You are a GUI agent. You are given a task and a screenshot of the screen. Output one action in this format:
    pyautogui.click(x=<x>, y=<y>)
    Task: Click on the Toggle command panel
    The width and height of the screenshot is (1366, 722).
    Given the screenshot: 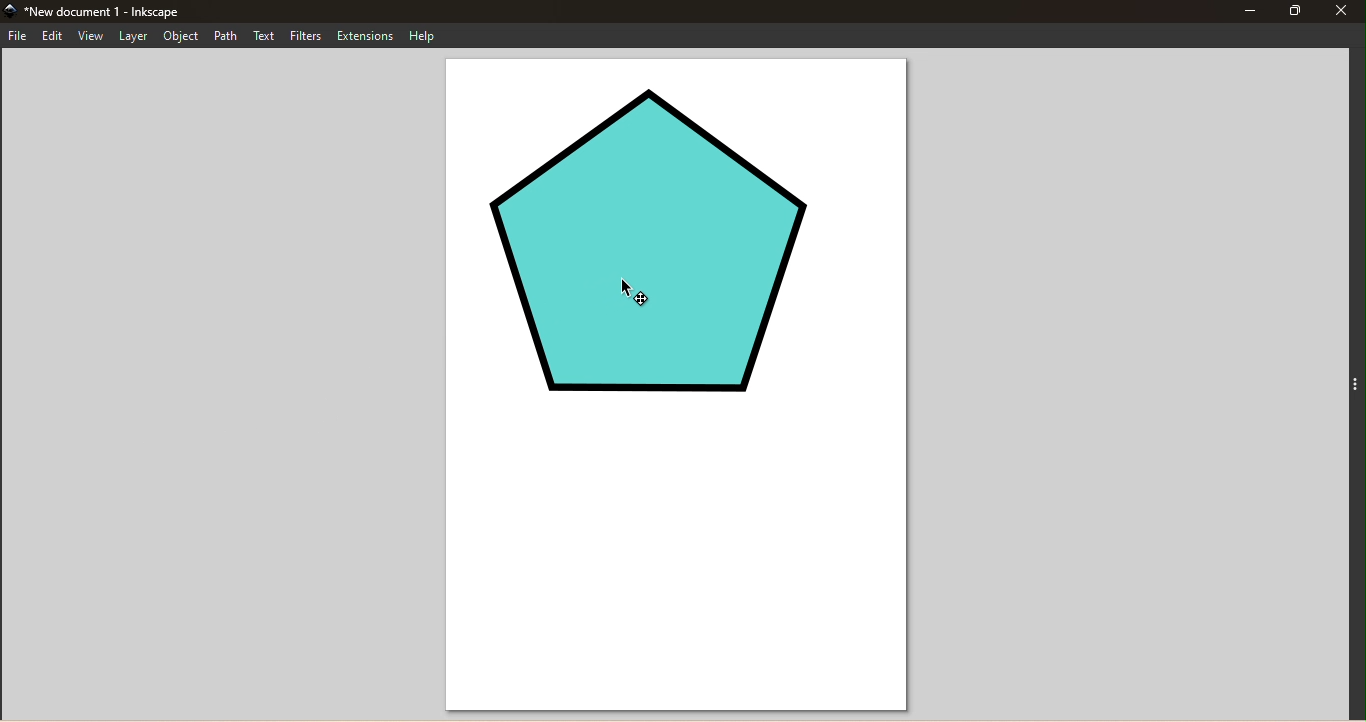 What is the action you would take?
    pyautogui.click(x=1353, y=382)
    